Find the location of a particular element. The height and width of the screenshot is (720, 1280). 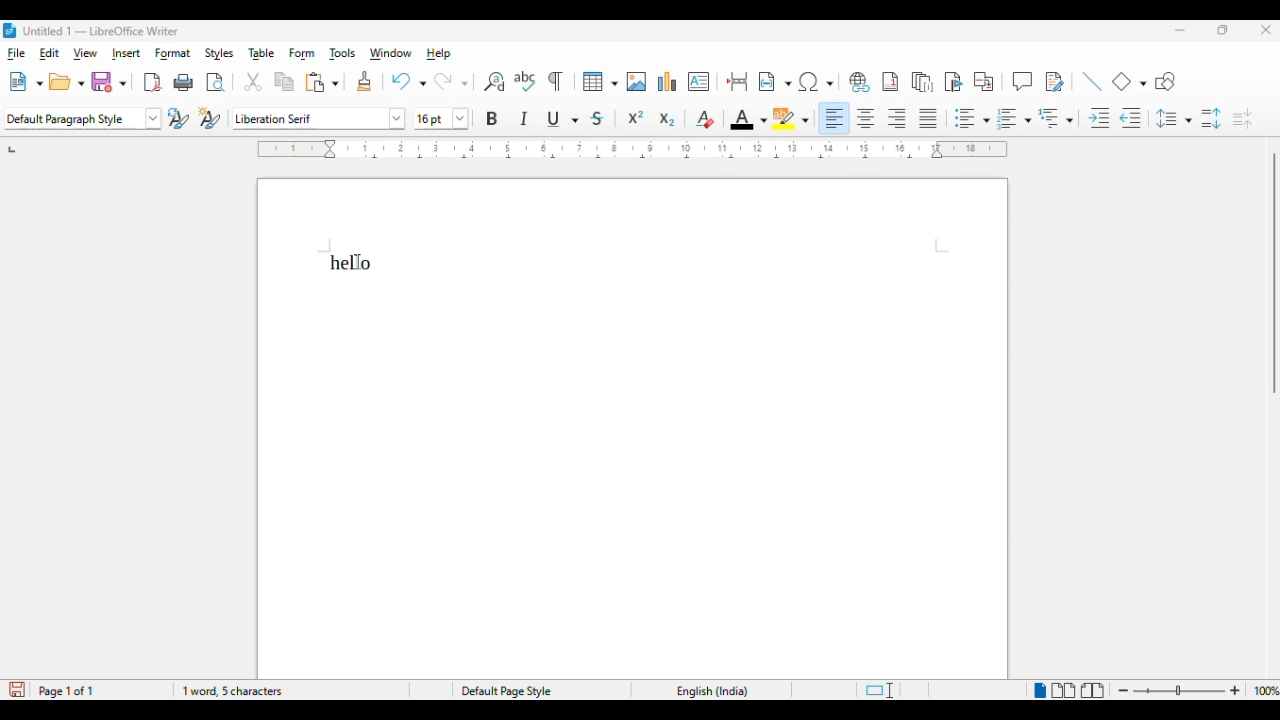

align left is located at coordinates (836, 118).